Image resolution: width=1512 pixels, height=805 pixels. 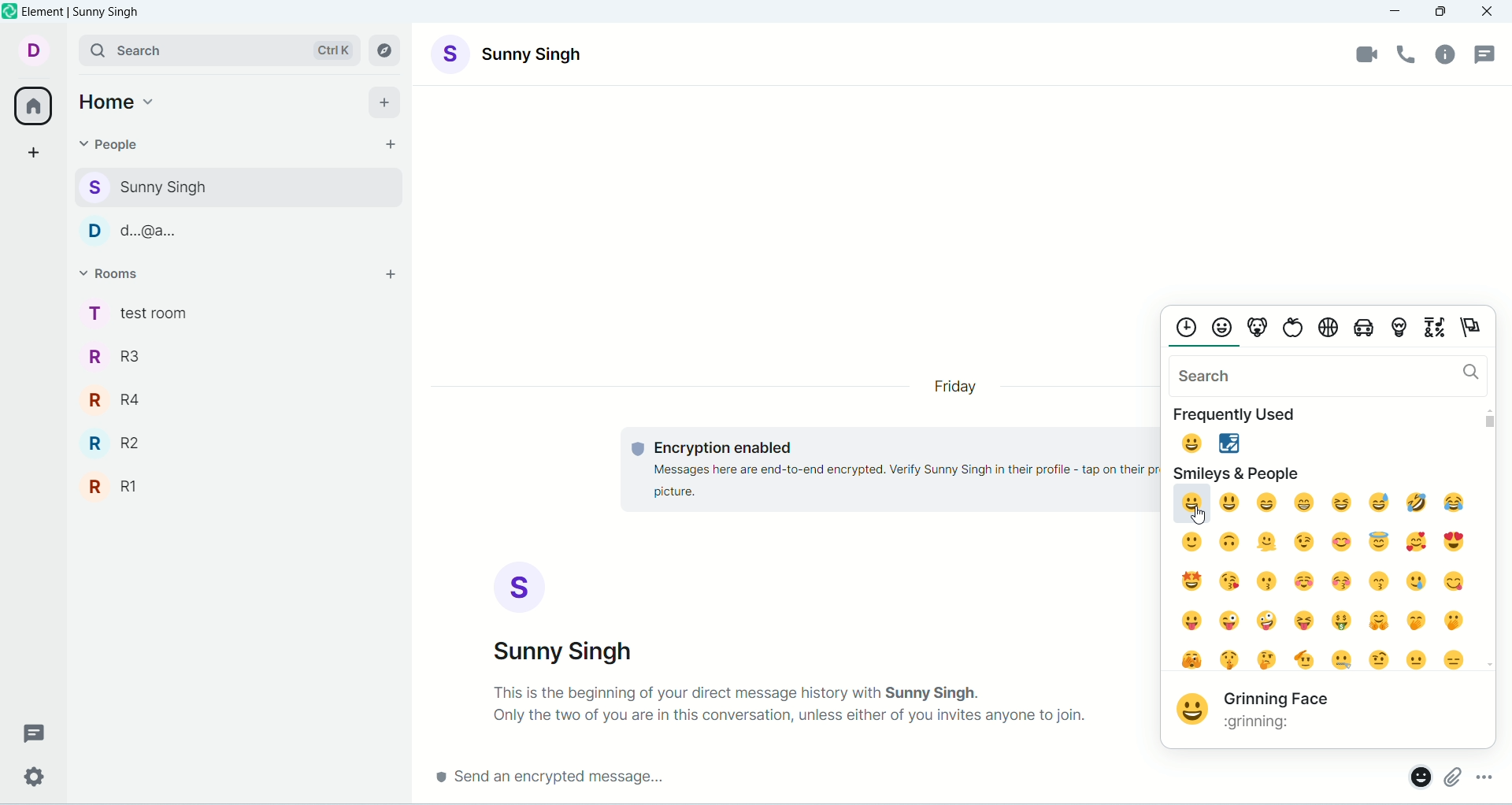 What do you see at coordinates (119, 100) in the screenshot?
I see `home` at bounding box center [119, 100].